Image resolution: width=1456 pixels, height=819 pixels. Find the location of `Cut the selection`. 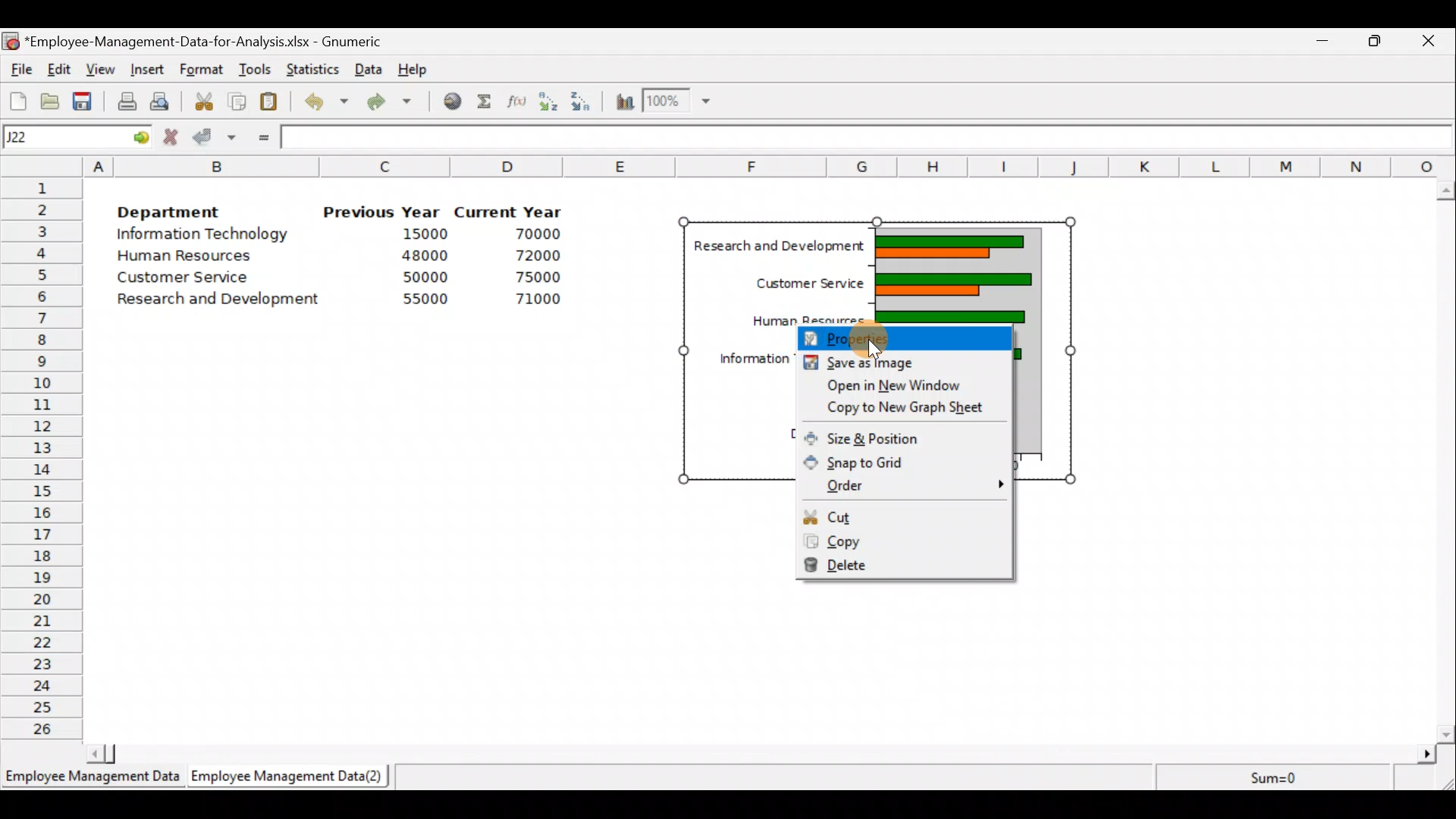

Cut the selection is located at coordinates (206, 104).